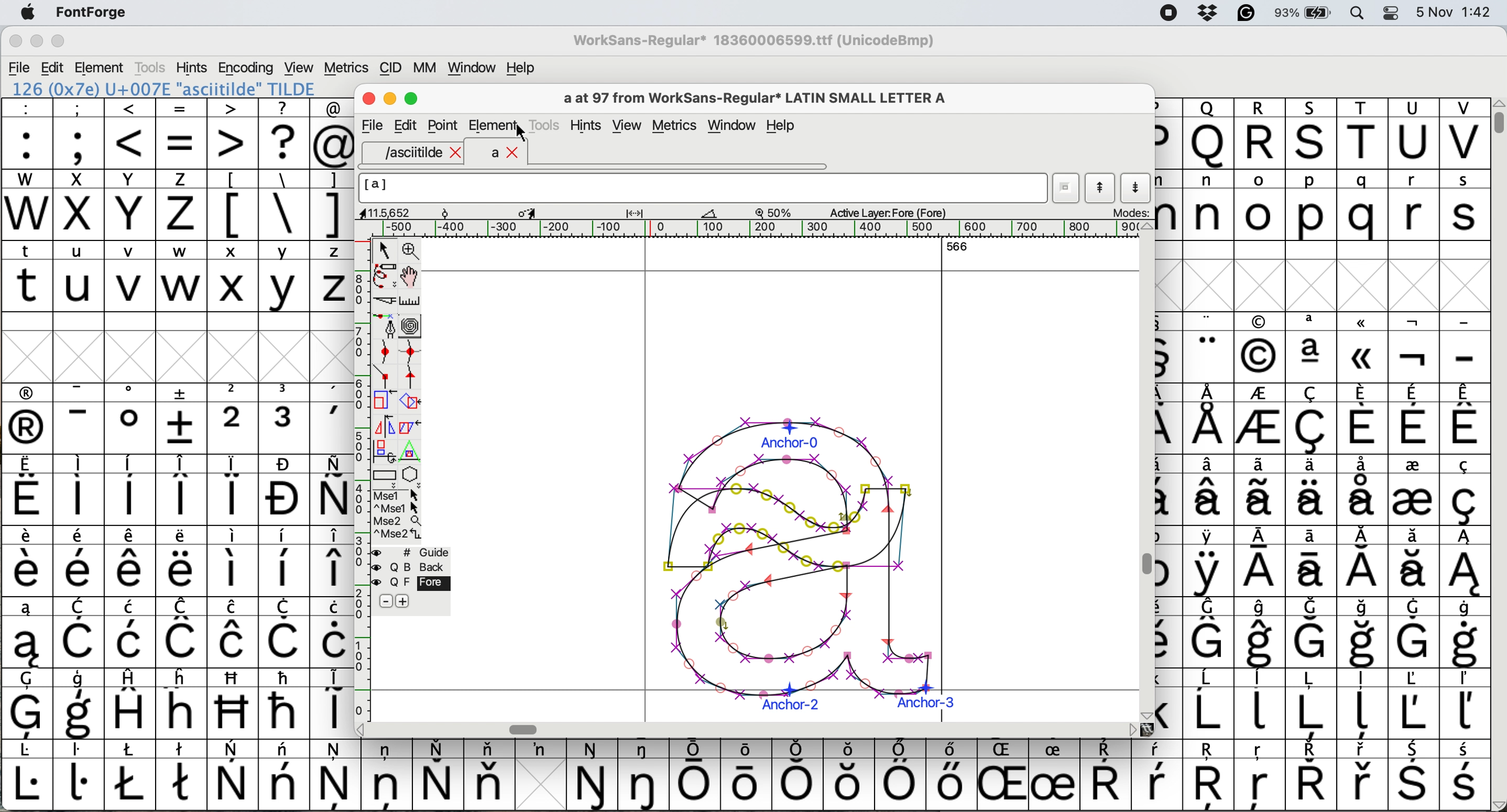 Image resolution: width=1507 pixels, height=812 pixels. What do you see at coordinates (370, 126) in the screenshot?
I see `file` at bounding box center [370, 126].